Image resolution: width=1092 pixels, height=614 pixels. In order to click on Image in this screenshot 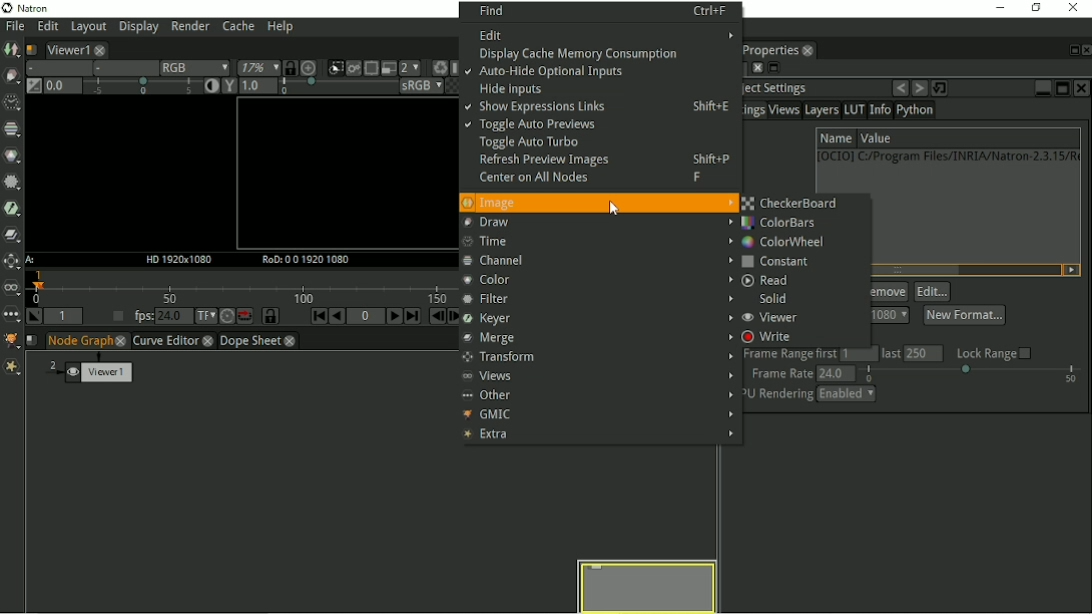, I will do `click(599, 202)`.